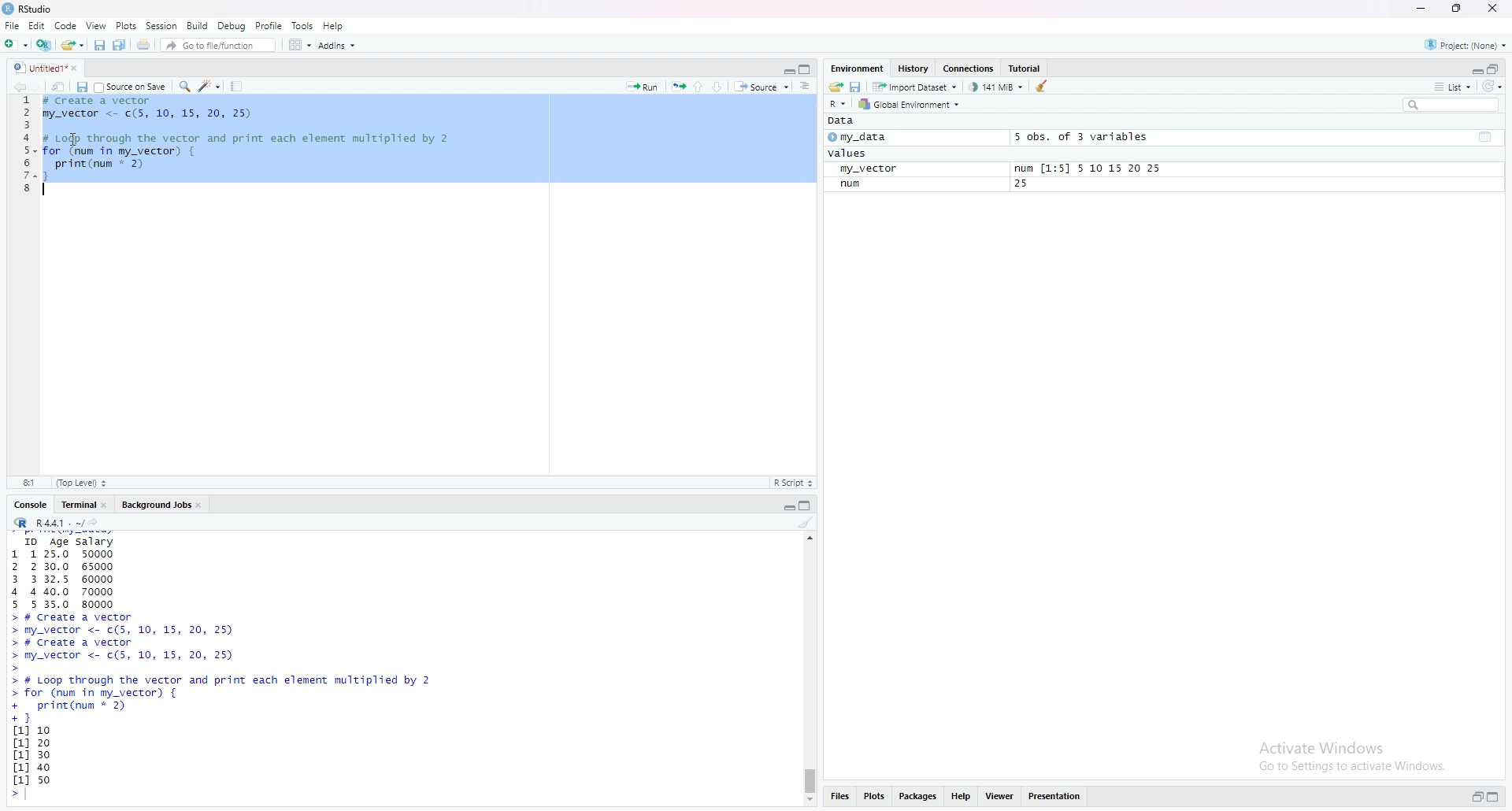 The width and height of the screenshot is (1512, 811). What do you see at coordinates (1495, 69) in the screenshot?
I see `collapse` at bounding box center [1495, 69].